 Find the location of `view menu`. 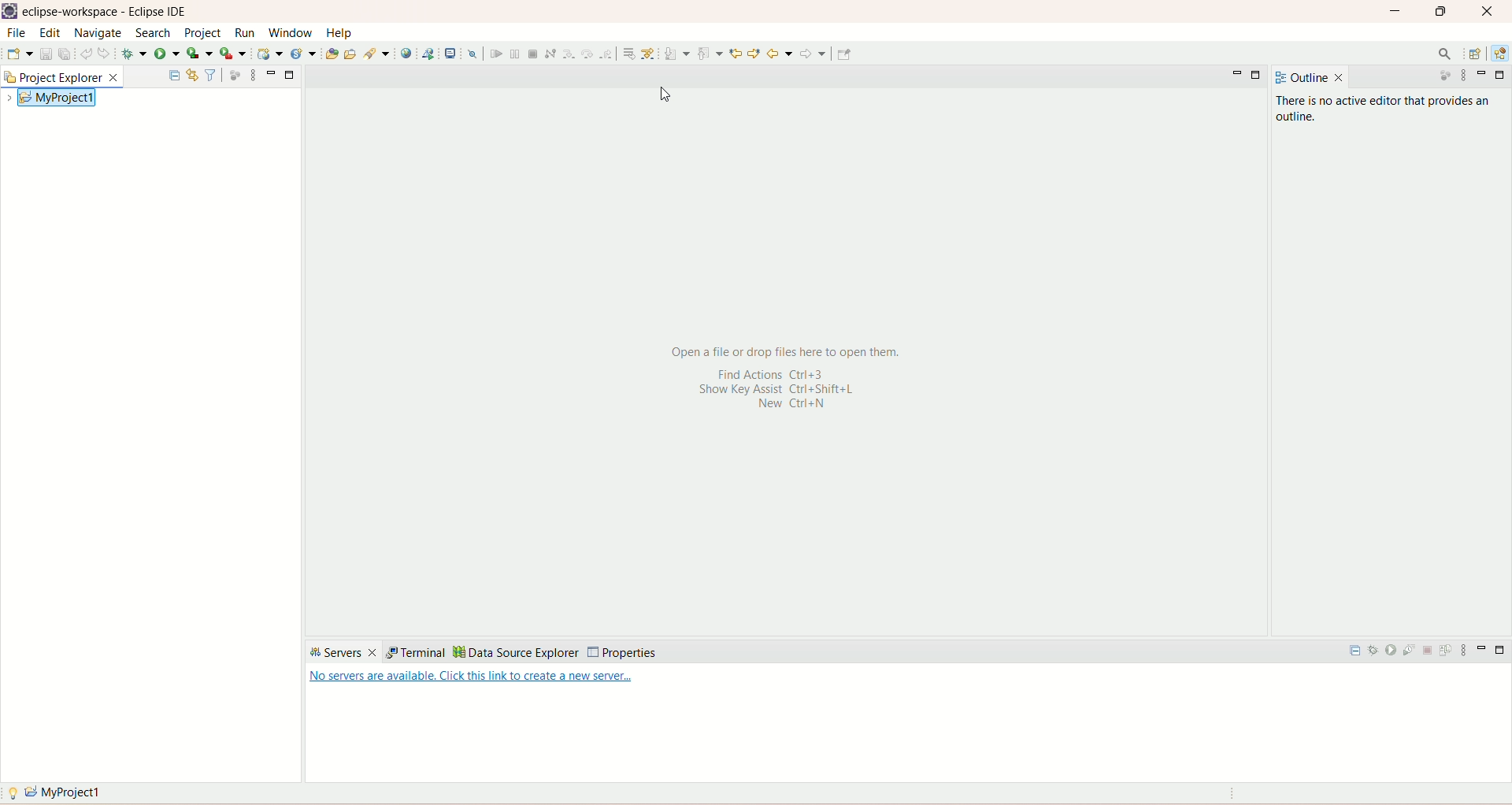

view menu is located at coordinates (1467, 651).